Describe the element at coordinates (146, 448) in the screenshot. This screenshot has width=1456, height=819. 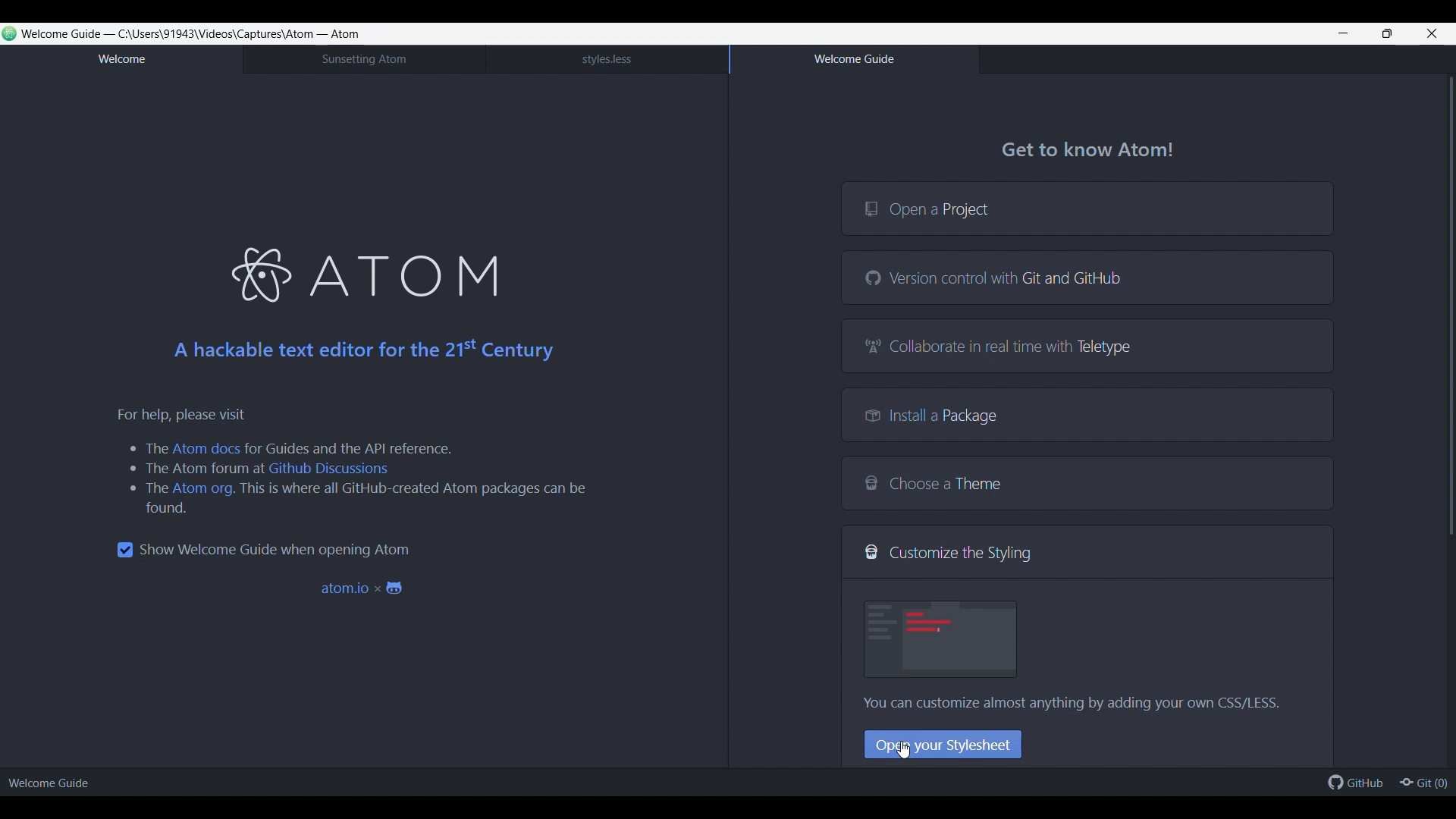
I see `the` at that location.